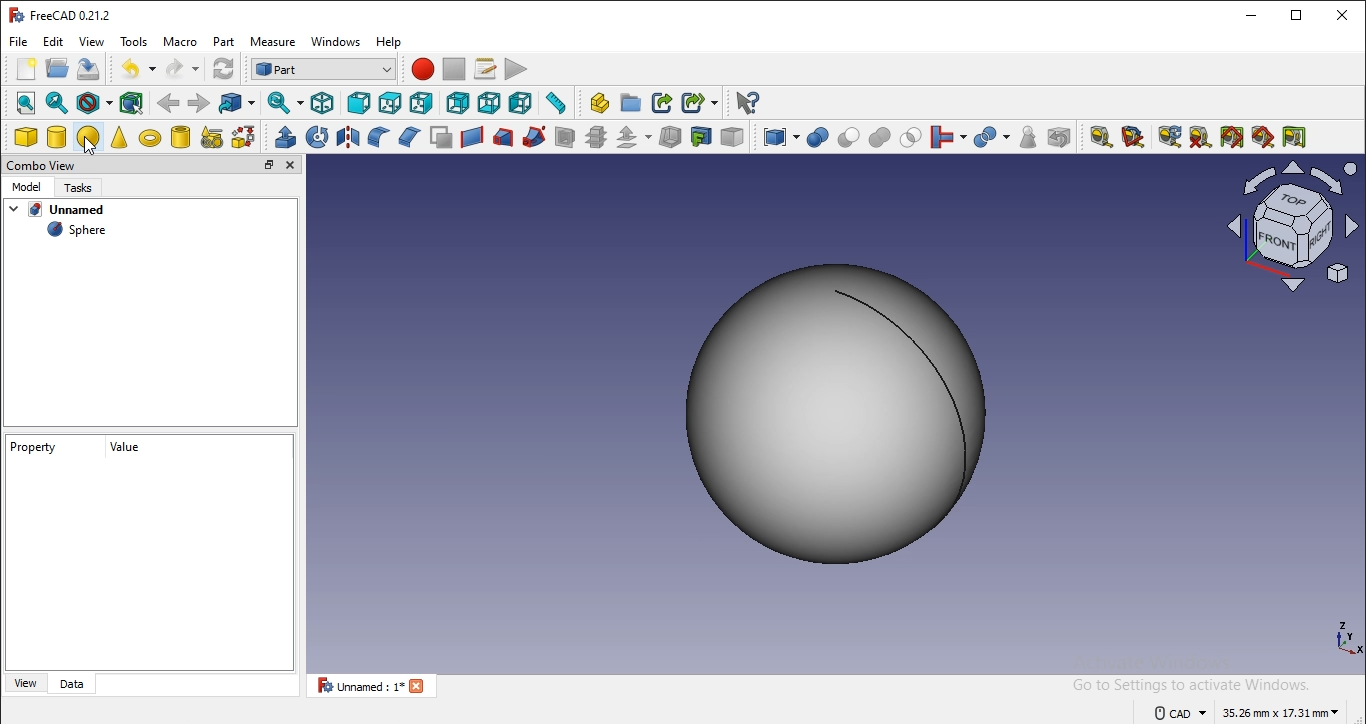  I want to click on create a ruled surface, so click(474, 137).